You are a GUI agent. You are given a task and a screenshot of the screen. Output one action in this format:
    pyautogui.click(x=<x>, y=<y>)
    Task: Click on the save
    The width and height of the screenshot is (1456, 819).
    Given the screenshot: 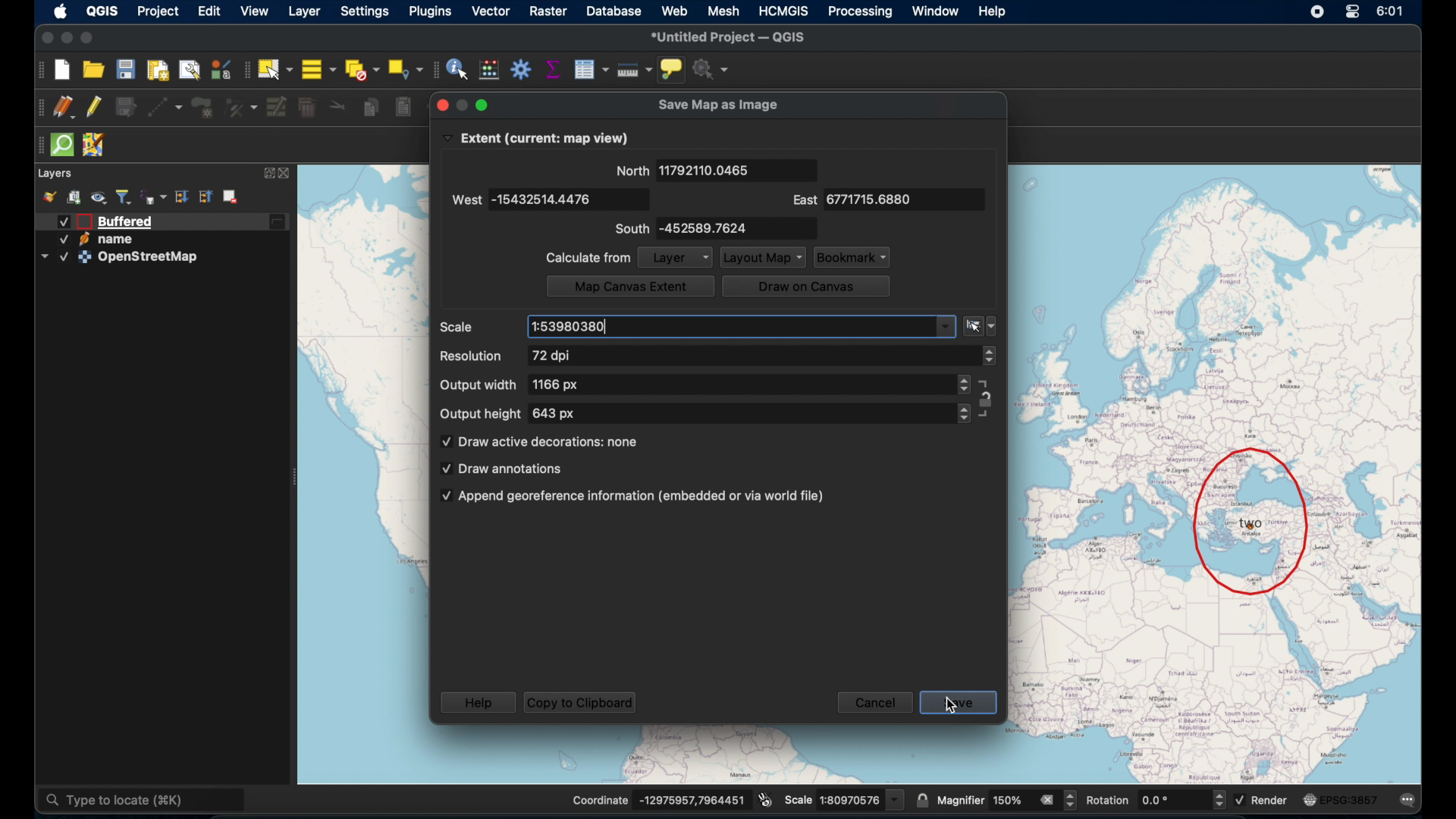 What is the action you would take?
    pyautogui.click(x=963, y=702)
    